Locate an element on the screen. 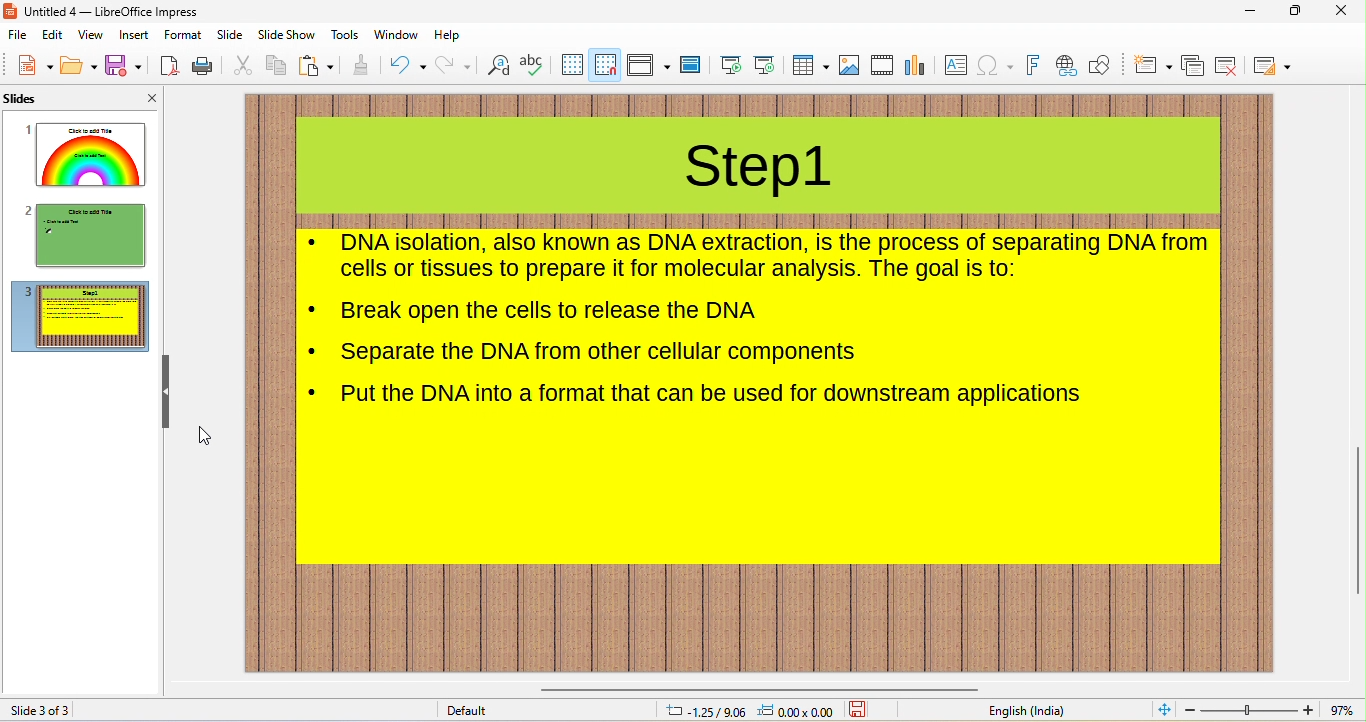  save is located at coordinates (861, 710).